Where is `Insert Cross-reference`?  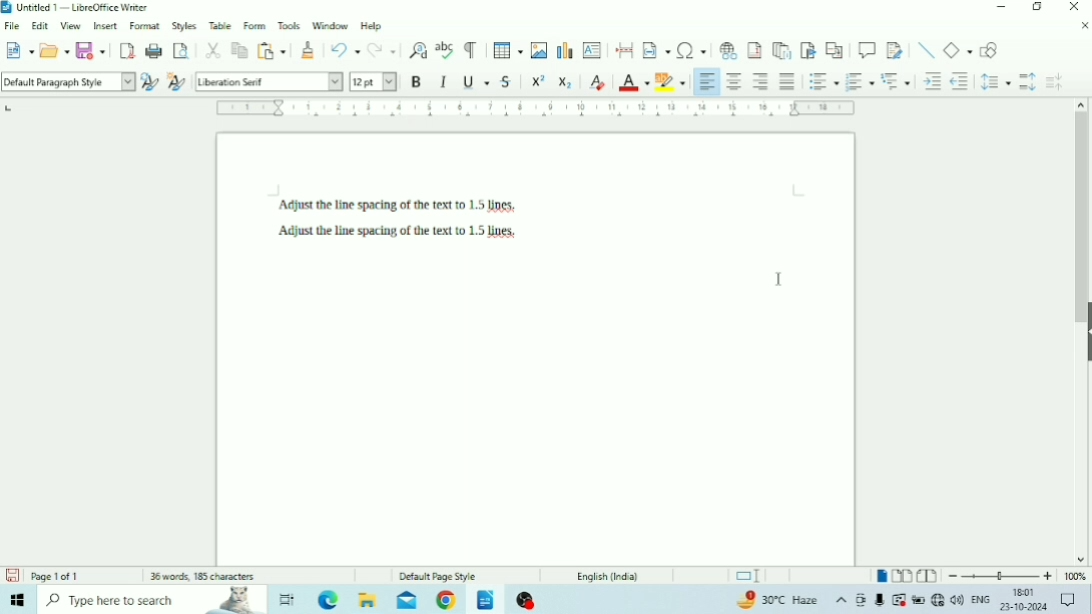 Insert Cross-reference is located at coordinates (834, 49).